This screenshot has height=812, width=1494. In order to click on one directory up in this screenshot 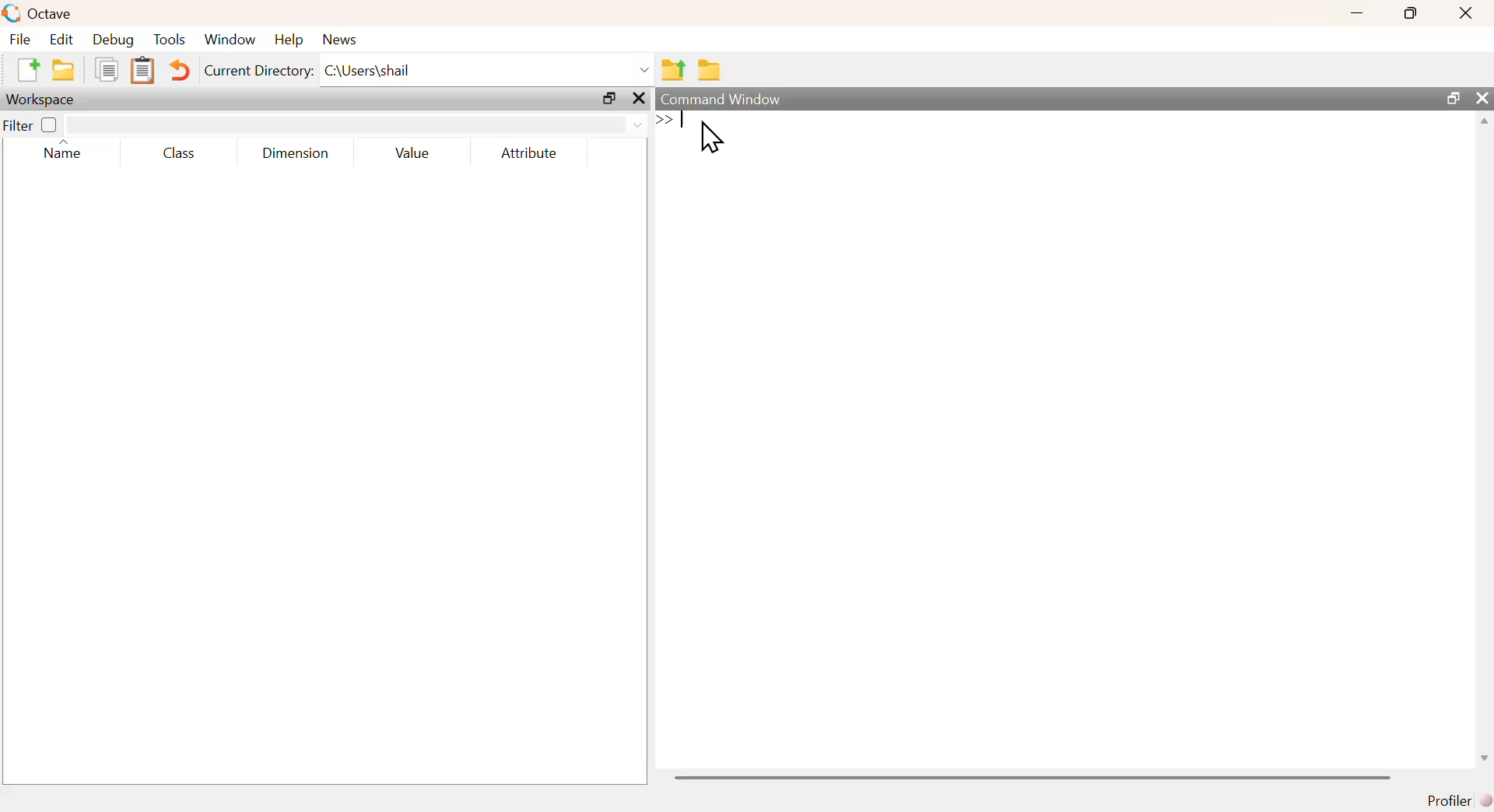, I will do `click(673, 70)`.